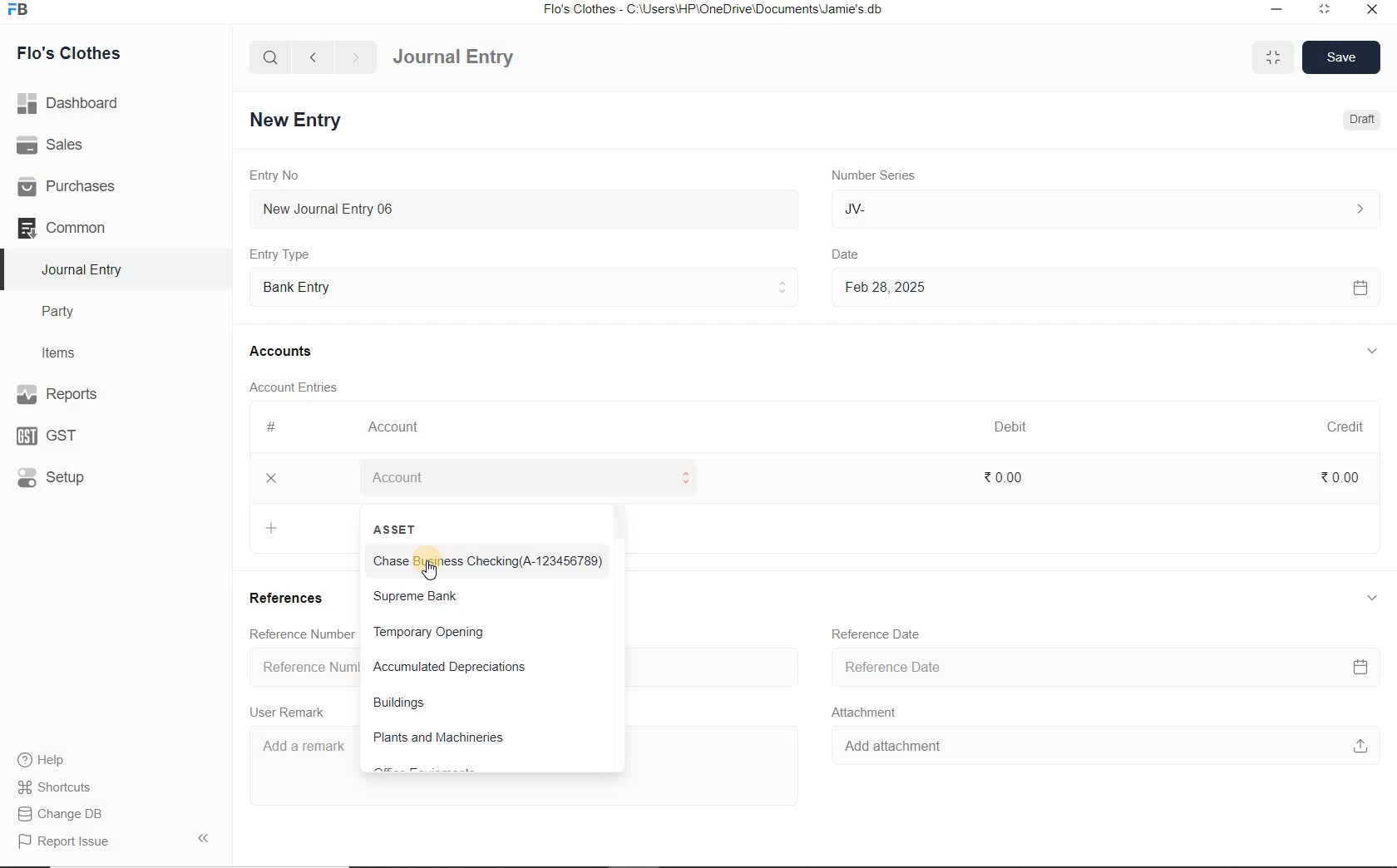 The height and width of the screenshot is (868, 1397). Describe the element at coordinates (1104, 668) in the screenshot. I see `Reference Date` at that location.